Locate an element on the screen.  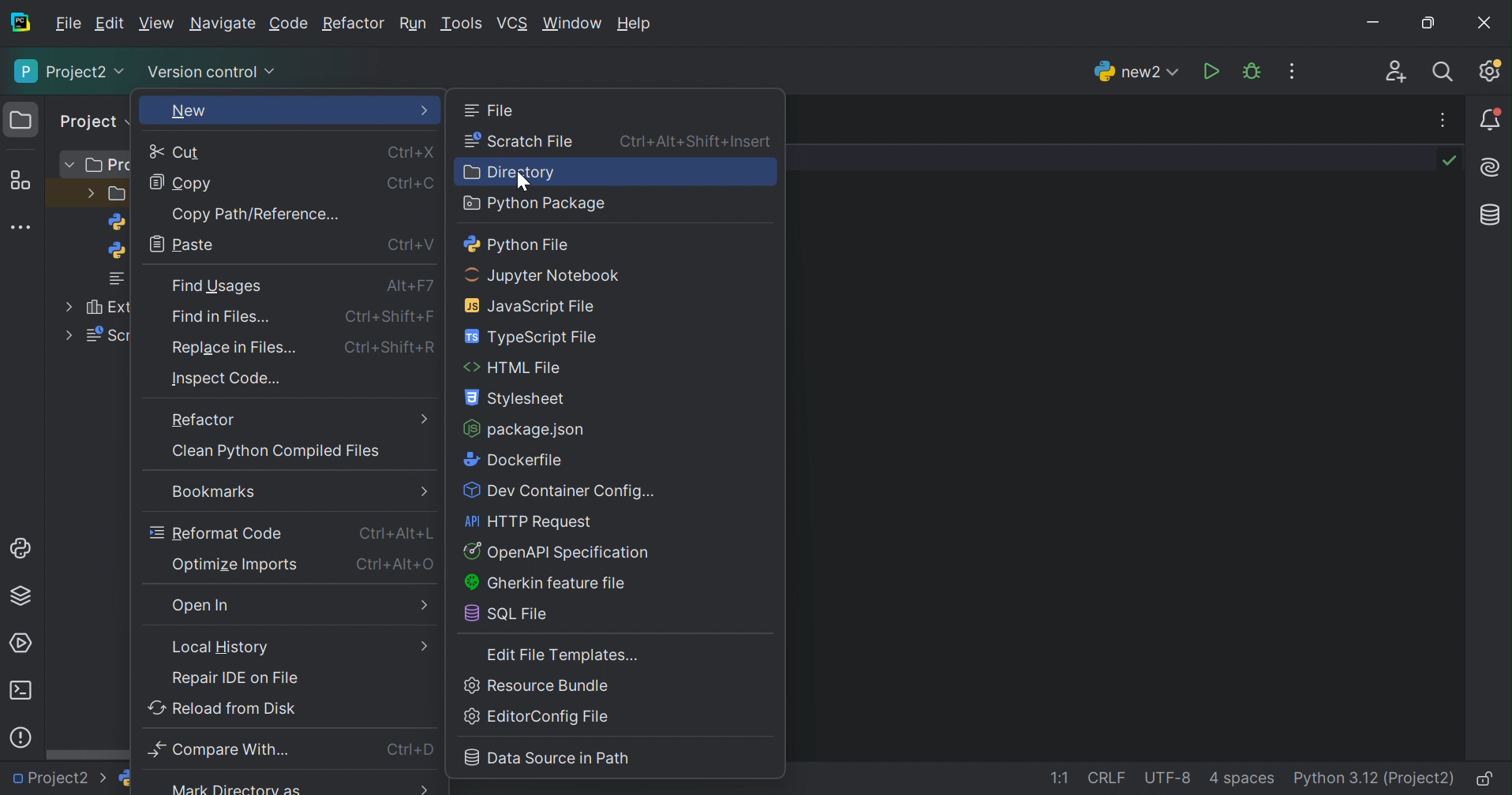
SQL file is located at coordinates (506, 612).